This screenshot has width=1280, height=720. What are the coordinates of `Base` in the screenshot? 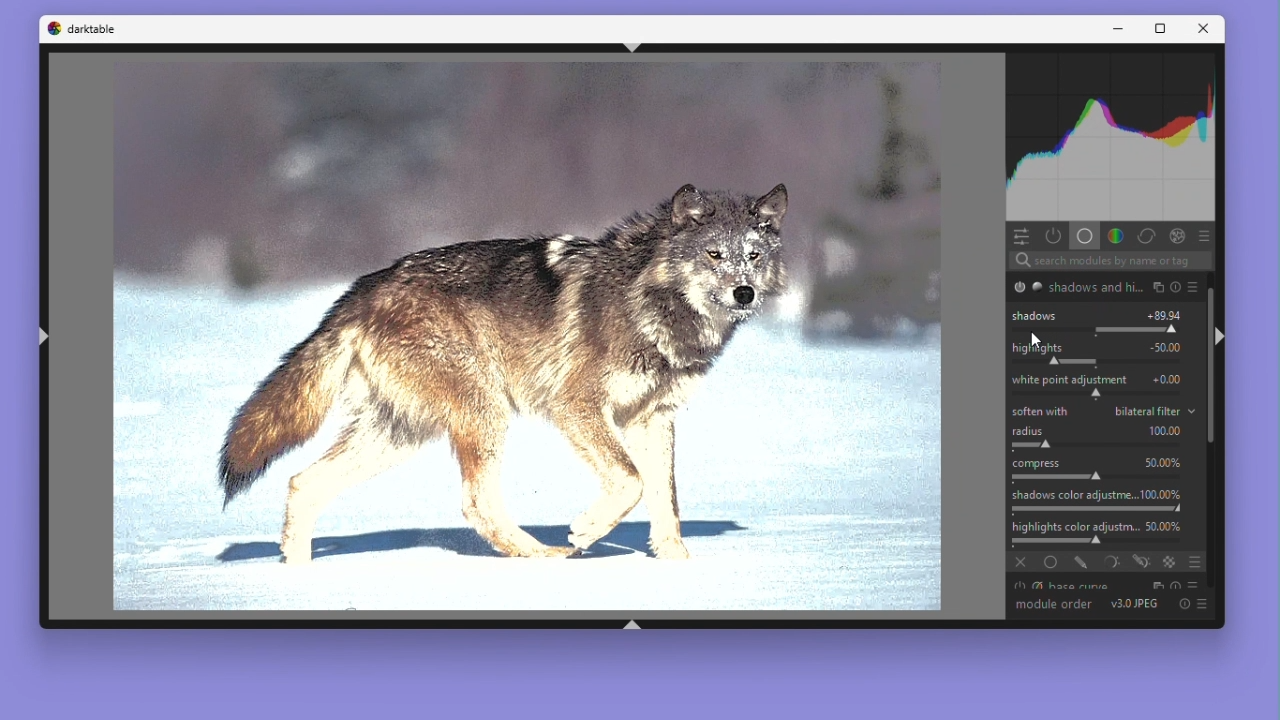 It's located at (1084, 236).